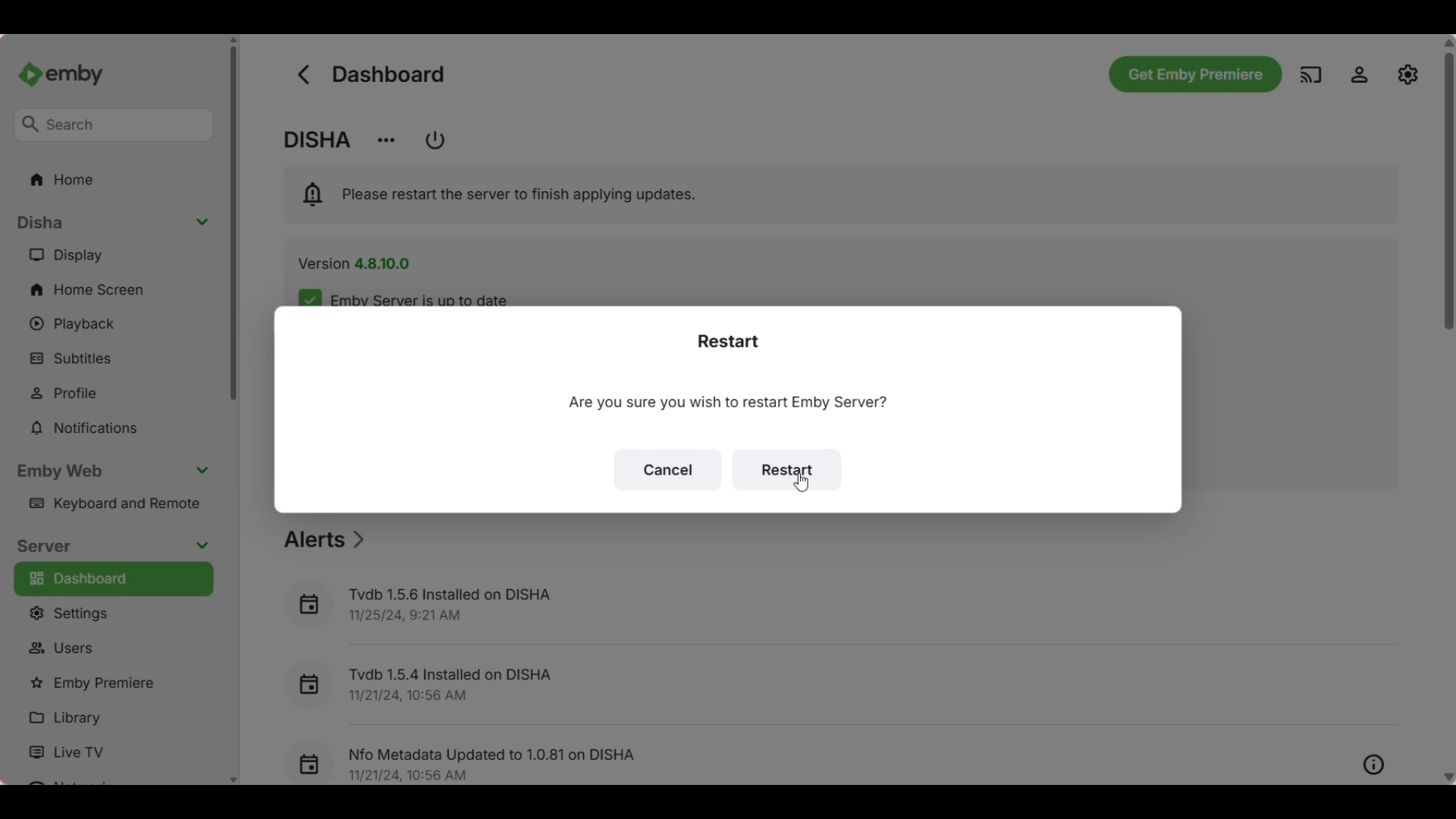 This screenshot has height=819, width=1456. What do you see at coordinates (389, 74) in the screenshot?
I see `Title of current page ` at bounding box center [389, 74].